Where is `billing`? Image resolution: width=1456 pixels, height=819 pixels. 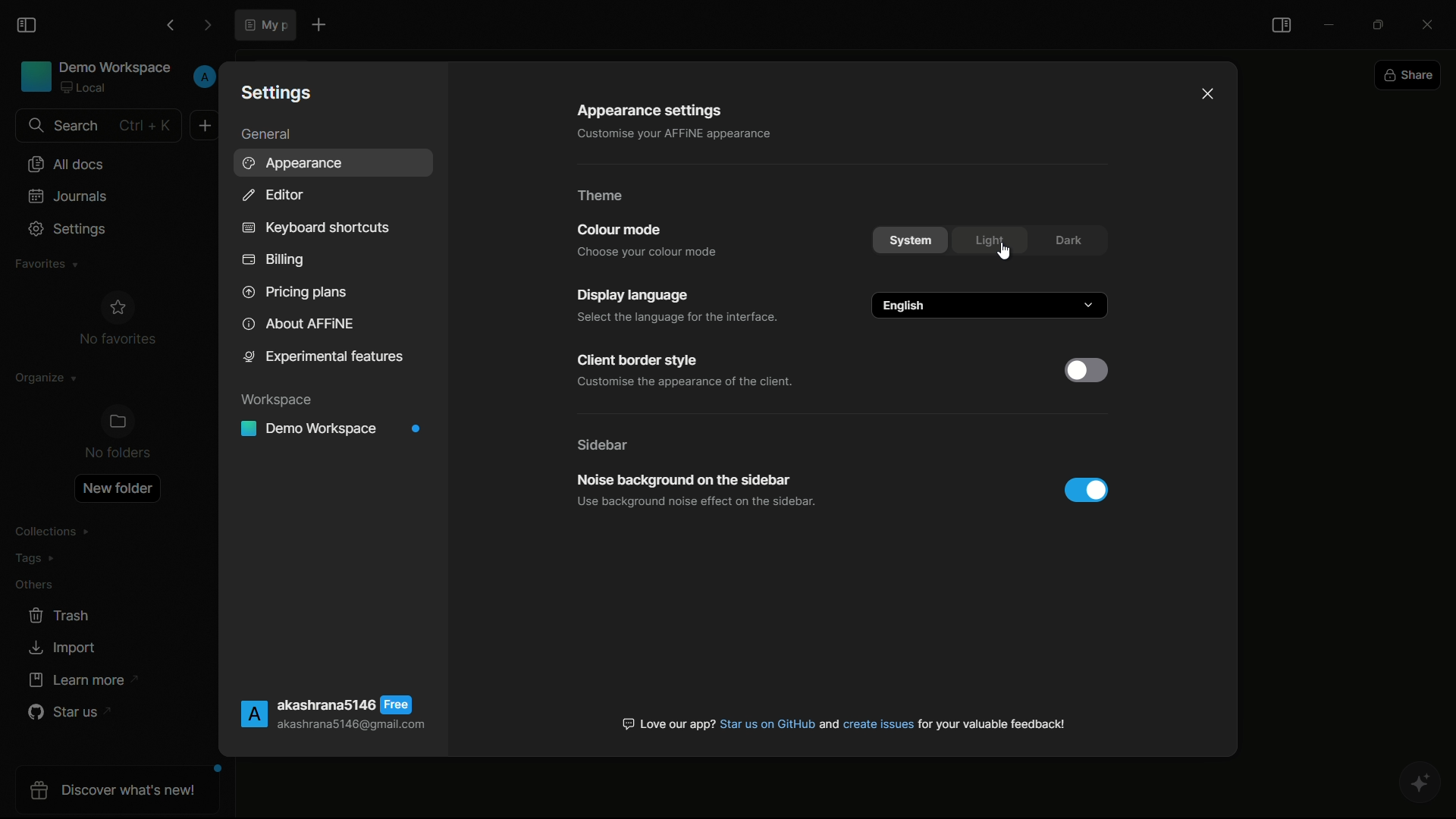 billing is located at coordinates (274, 262).